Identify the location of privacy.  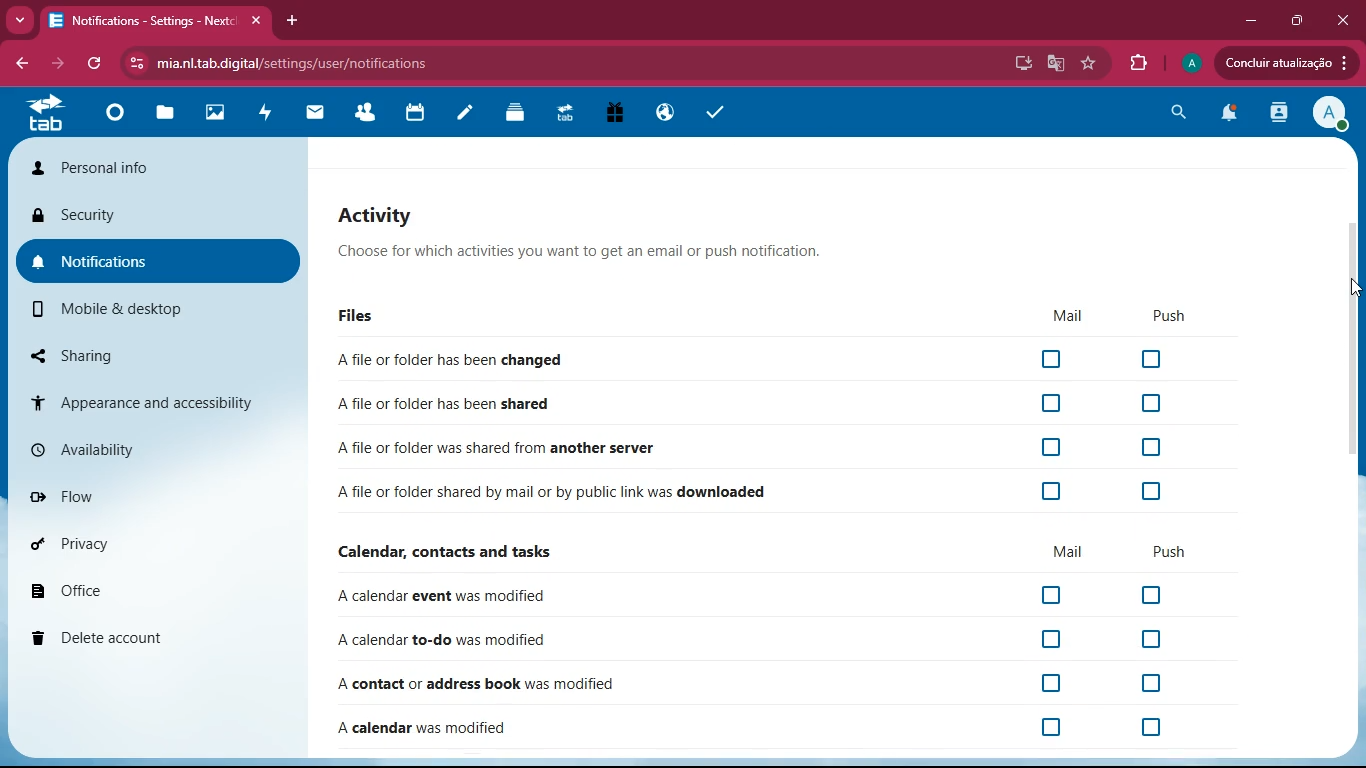
(160, 542).